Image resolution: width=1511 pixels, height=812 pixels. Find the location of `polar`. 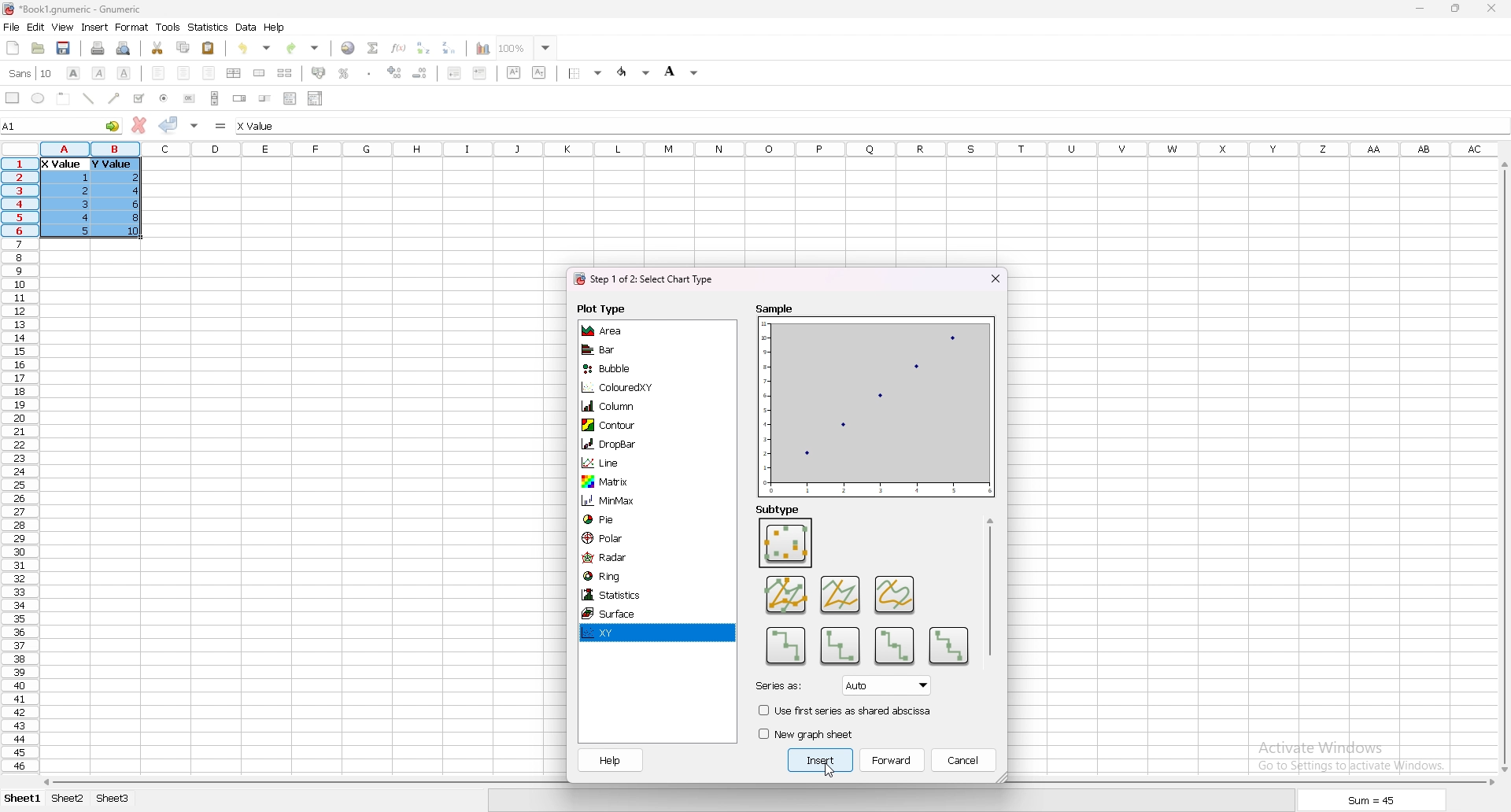

polar is located at coordinates (630, 538).